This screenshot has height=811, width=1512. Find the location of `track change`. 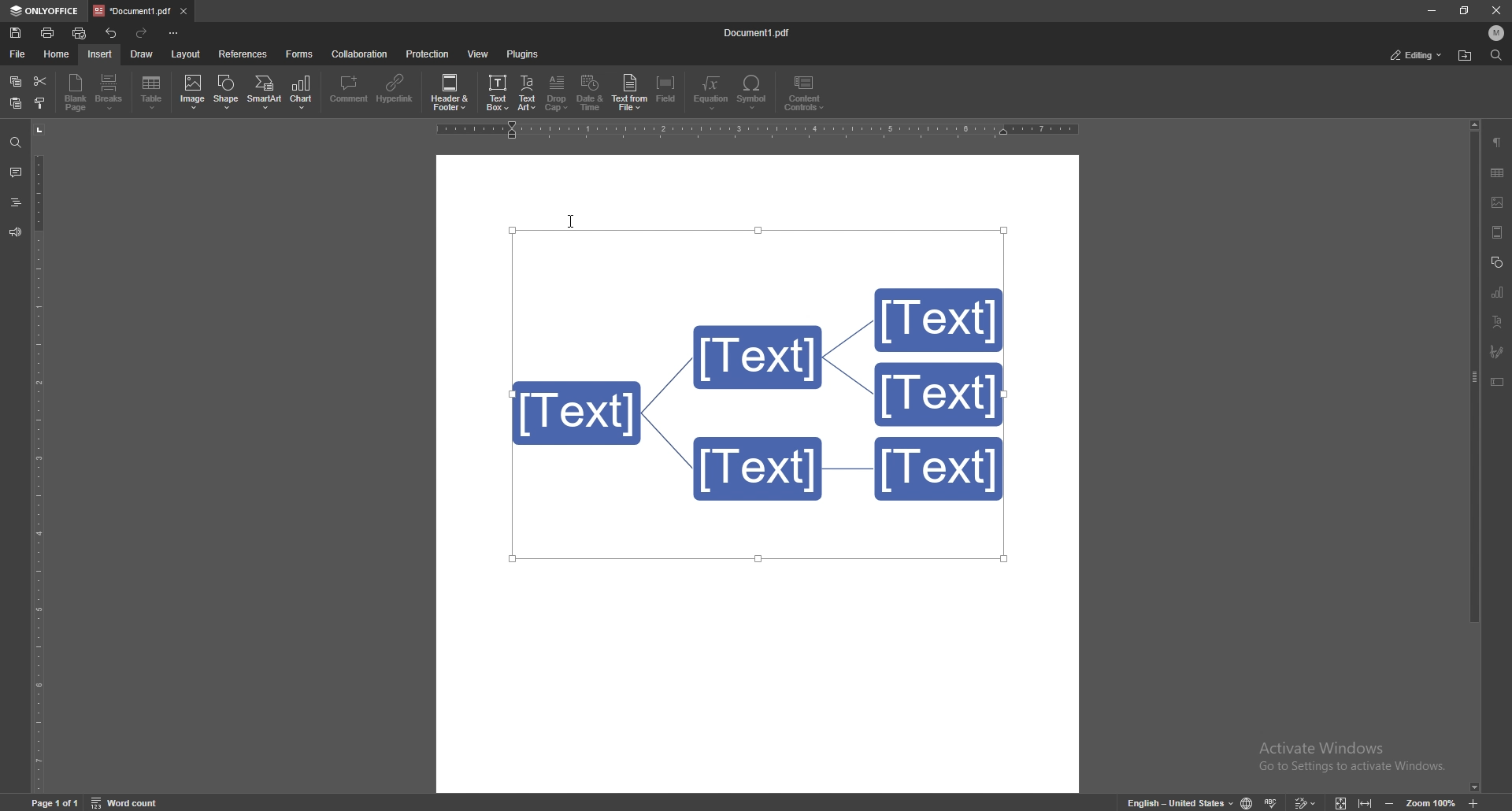

track change is located at coordinates (1304, 802).